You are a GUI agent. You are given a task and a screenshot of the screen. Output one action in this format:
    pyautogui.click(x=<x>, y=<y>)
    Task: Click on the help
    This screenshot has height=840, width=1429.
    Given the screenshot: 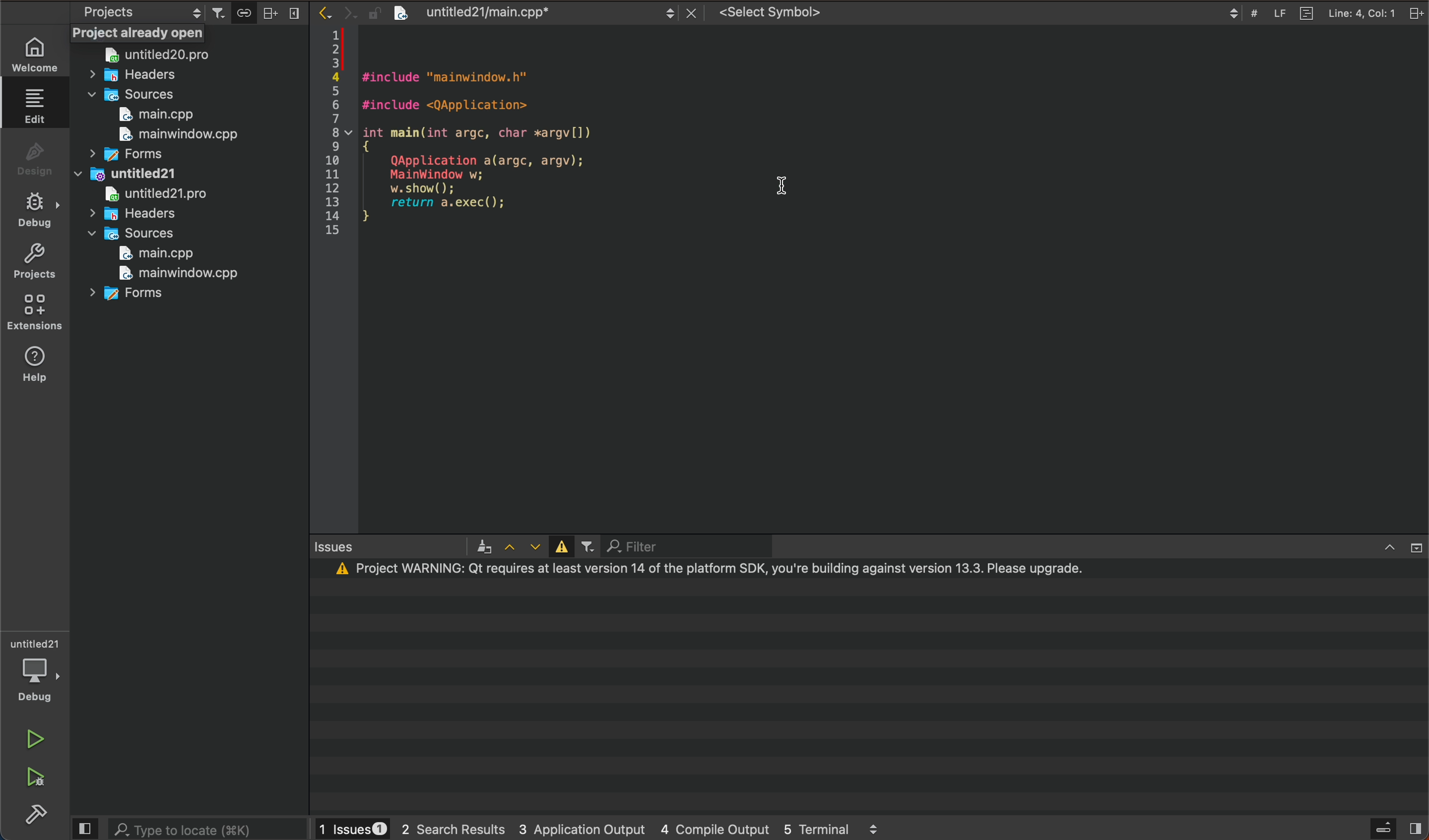 What is the action you would take?
    pyautogui.click(x=35, y=367)
    